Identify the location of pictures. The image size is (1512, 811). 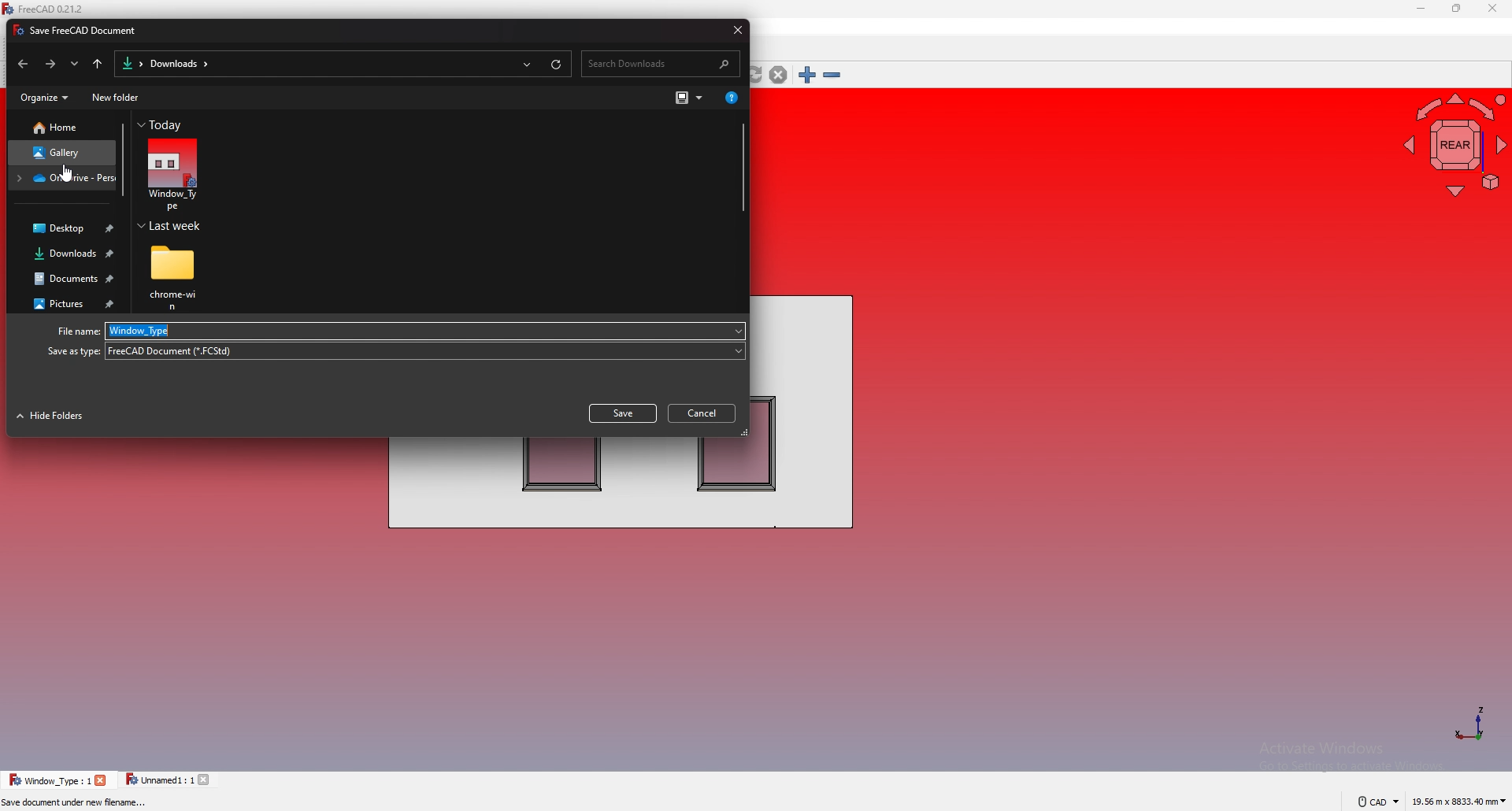
(66, 304).